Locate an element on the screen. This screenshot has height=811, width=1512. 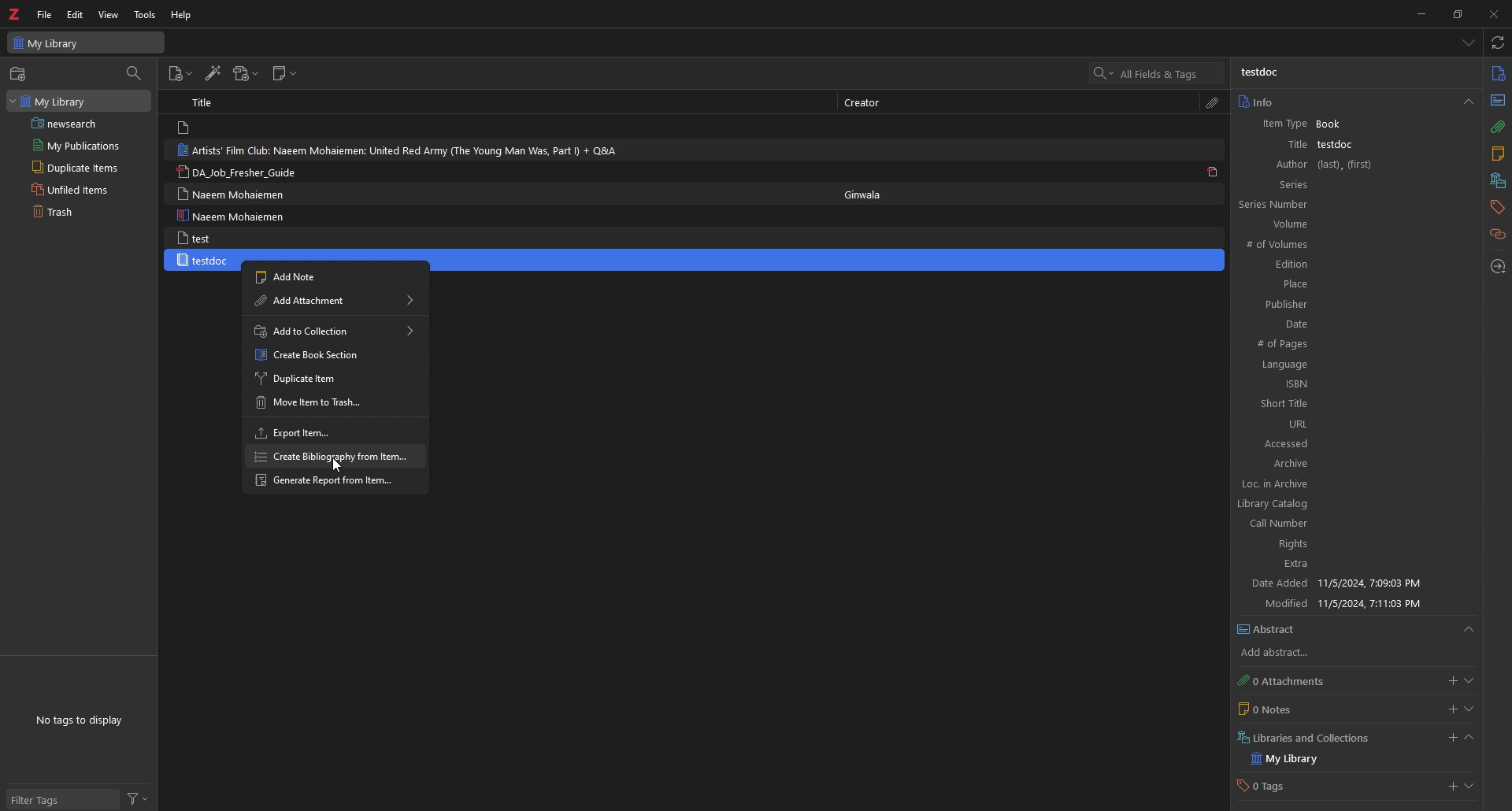
file is located at coordinates (44, 15).